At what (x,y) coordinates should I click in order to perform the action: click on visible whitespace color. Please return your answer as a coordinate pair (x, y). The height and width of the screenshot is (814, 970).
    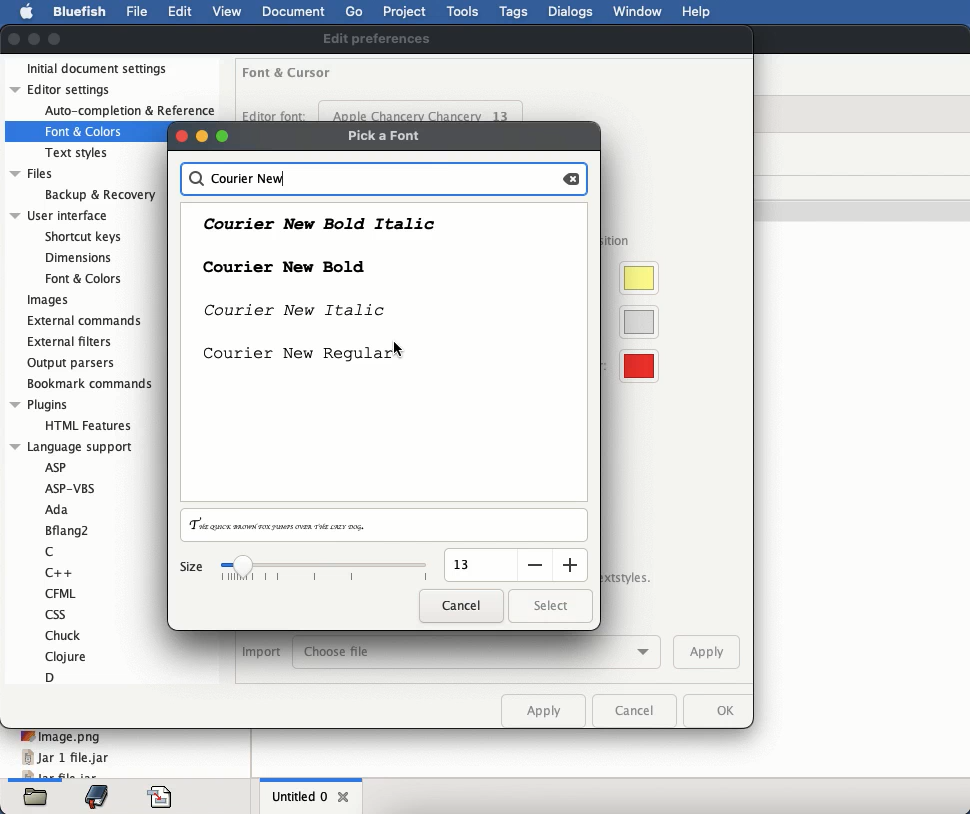
    Looking at the image, I should click on (641, 365).